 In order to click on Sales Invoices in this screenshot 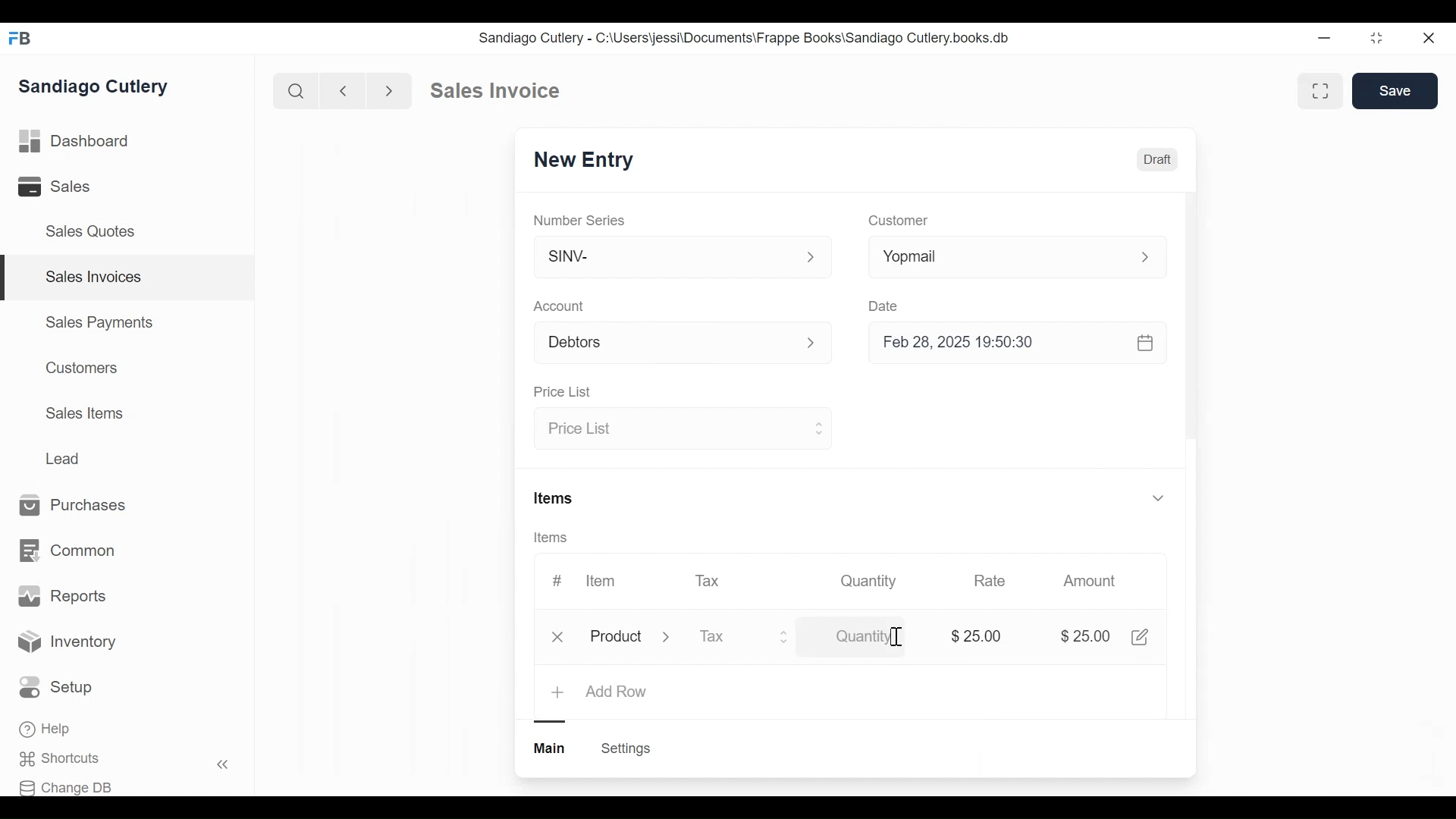, I will do `click(94, 278)`.